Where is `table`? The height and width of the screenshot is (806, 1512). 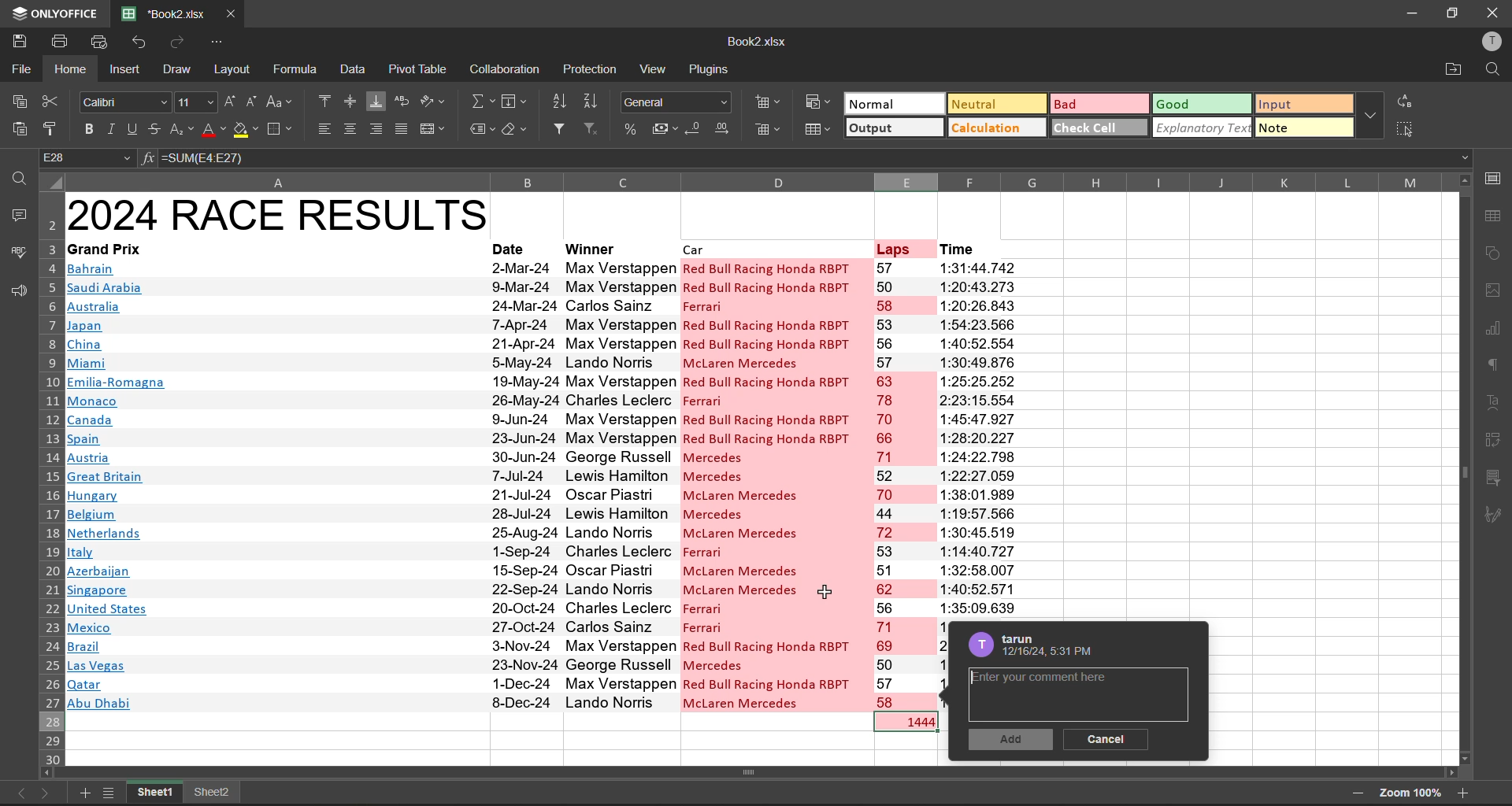
table is located at coordinates (1494, 216).